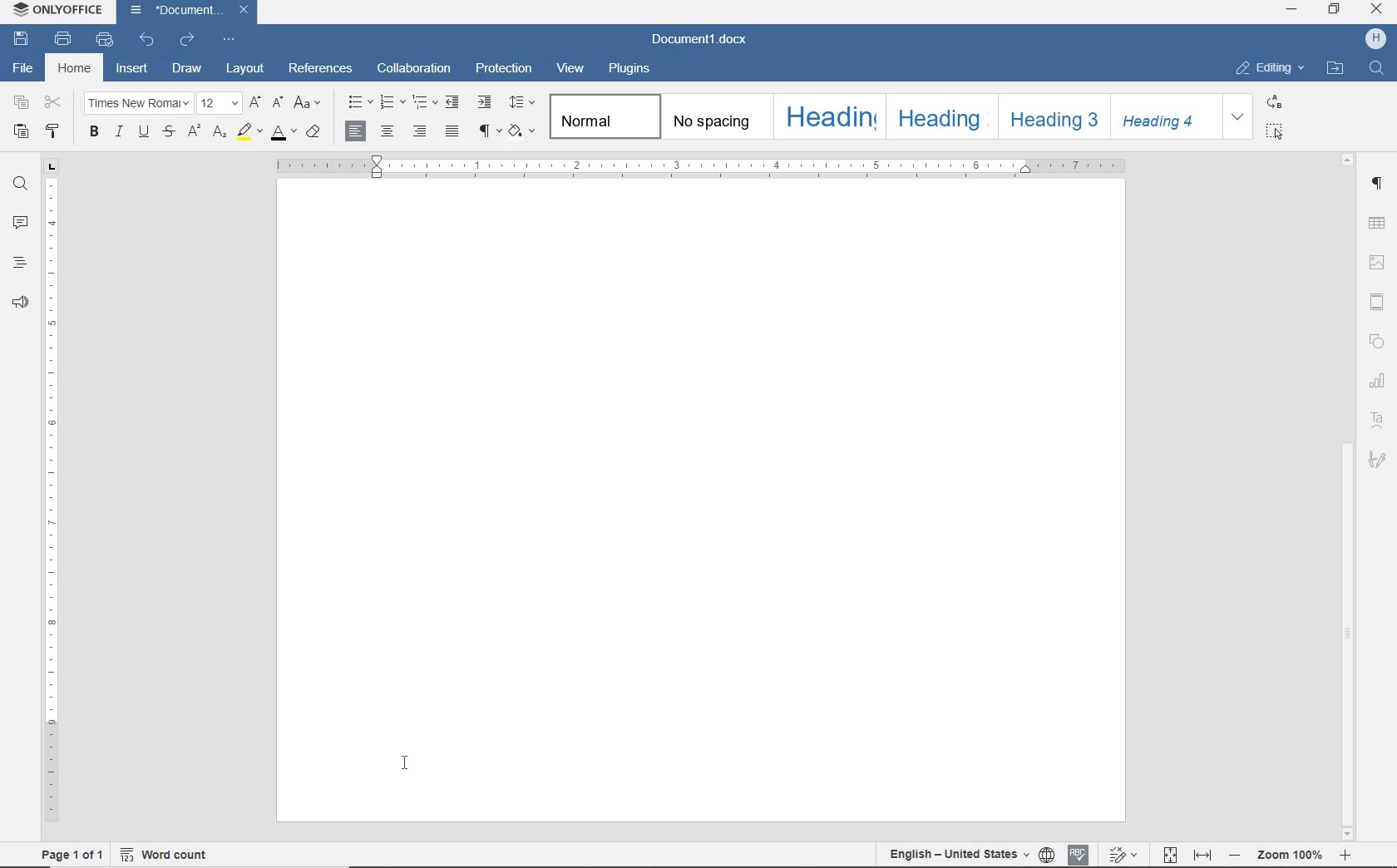  I want to click on ITALIC, so click(119, 131).